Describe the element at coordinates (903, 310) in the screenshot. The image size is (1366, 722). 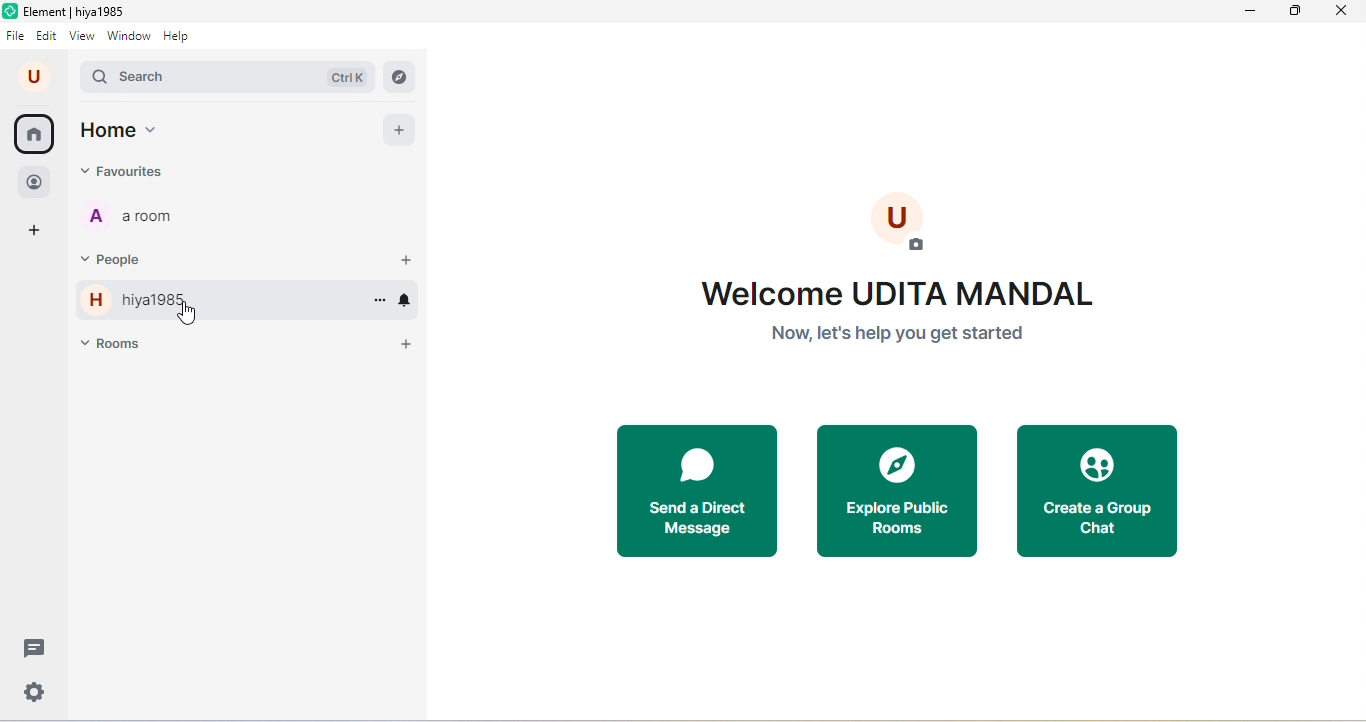
I see `Welcome UDITA MANDAL
Now, let's help you get started` at that location.